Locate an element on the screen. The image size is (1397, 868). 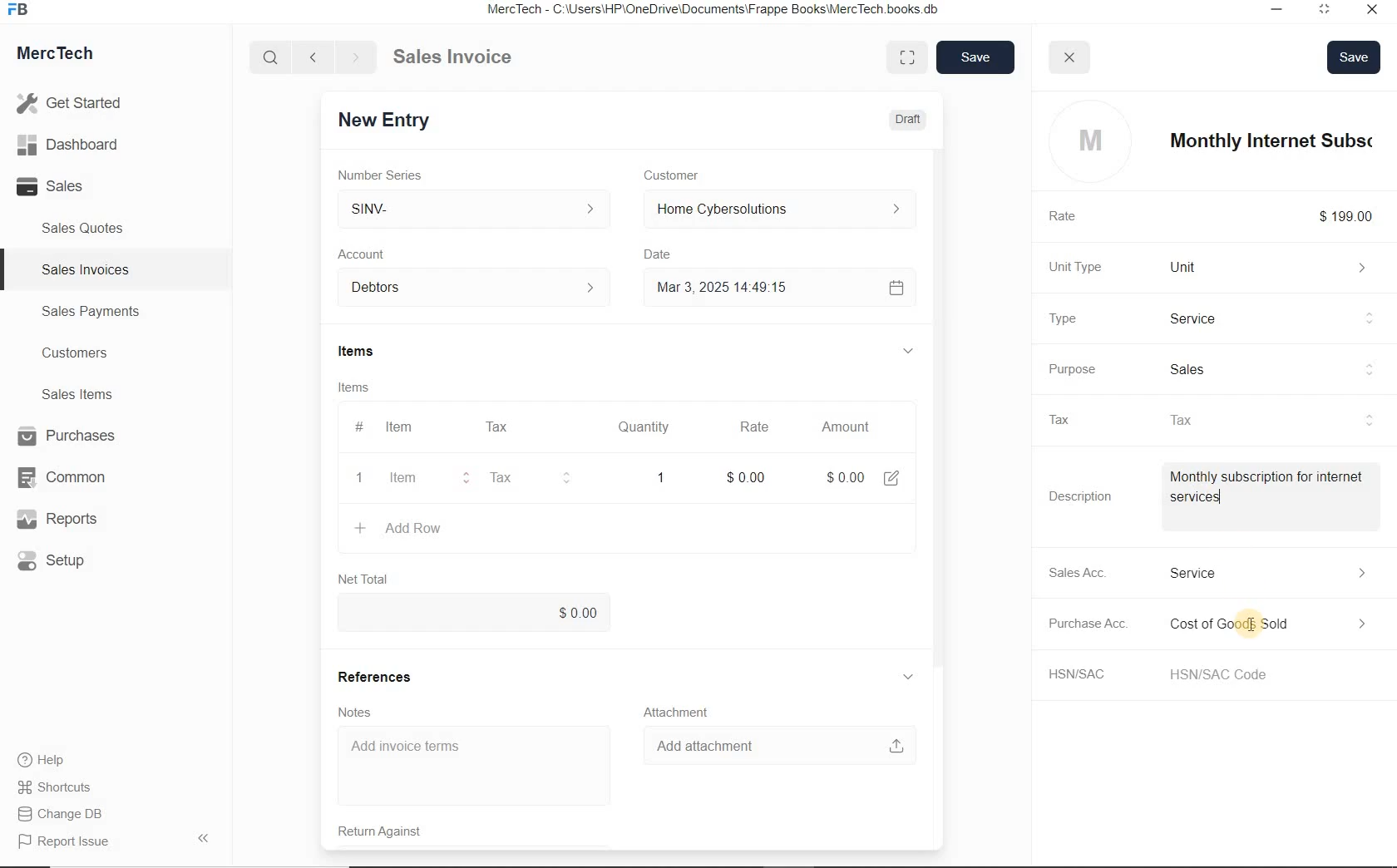
Report Issue is located at coordinates (67, 842).